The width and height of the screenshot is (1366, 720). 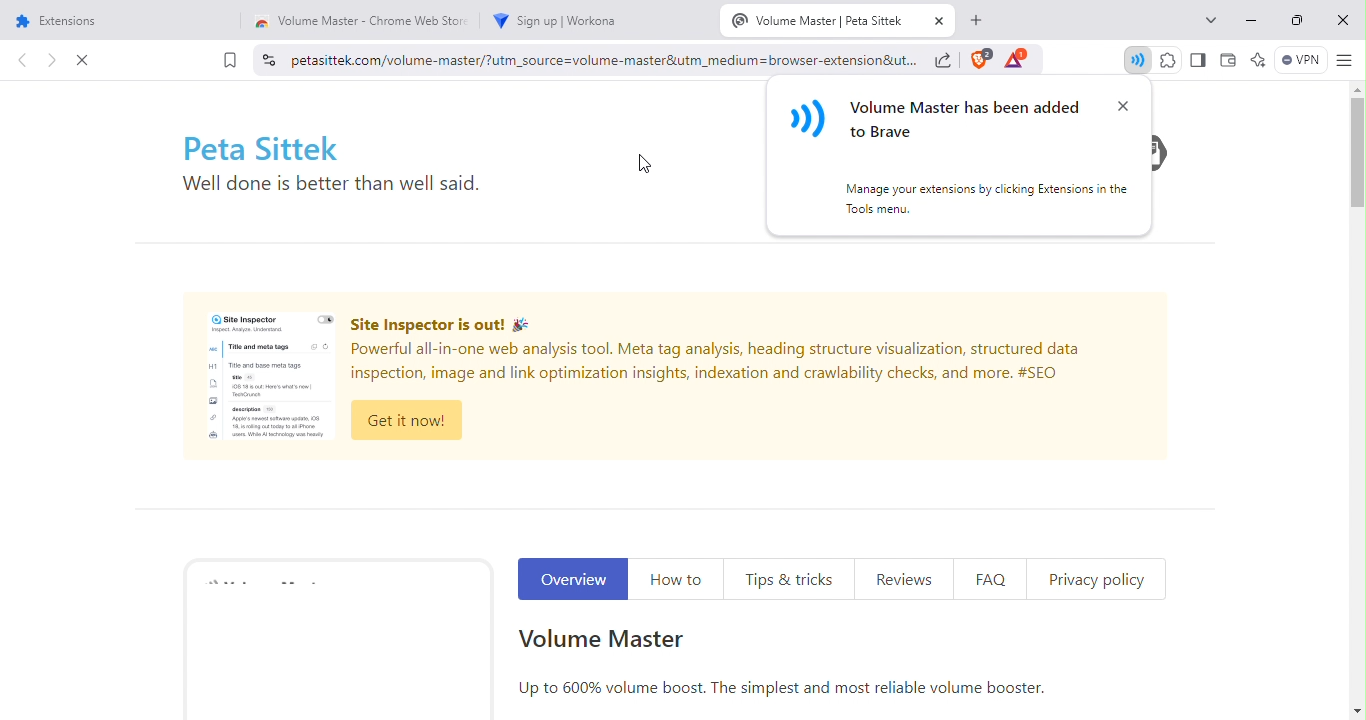 What do you see at coordinates (989, 579) in the screenshot?
I see `FAQ` at bounding box center [989, 579].